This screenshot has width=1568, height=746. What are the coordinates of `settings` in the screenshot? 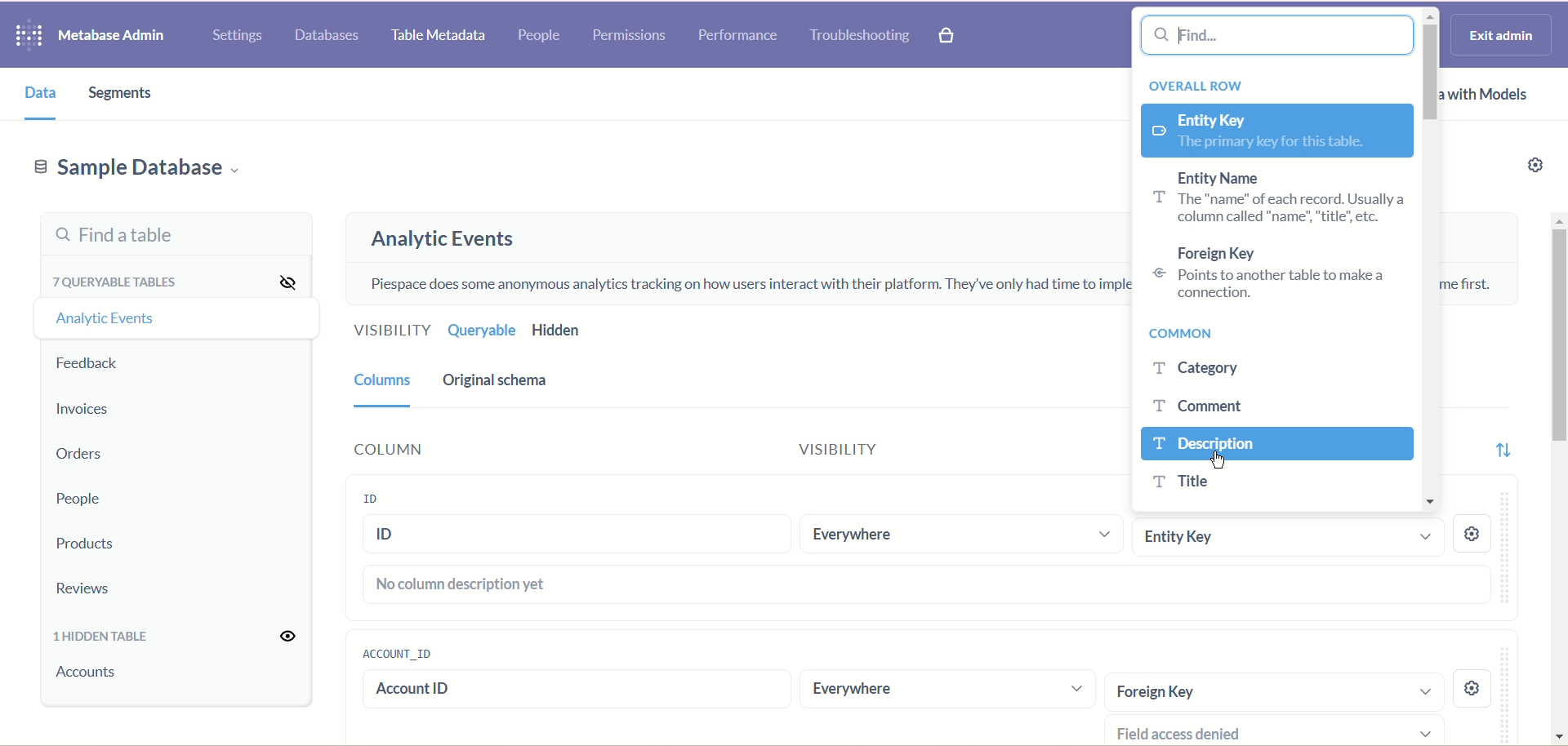 It's located at (1472, 535).